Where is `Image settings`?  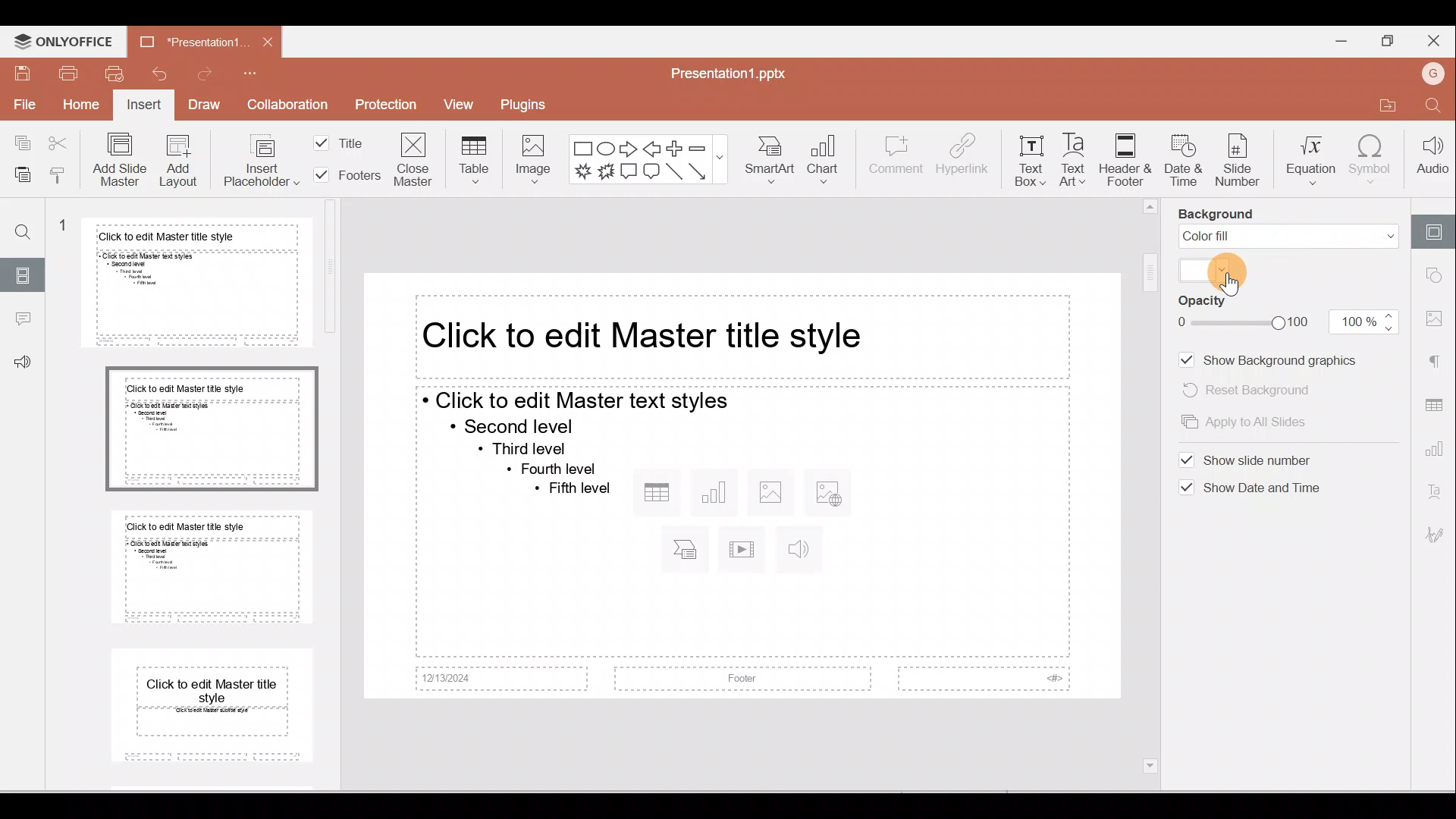 Image settings is located at coordinates (1438, 318).